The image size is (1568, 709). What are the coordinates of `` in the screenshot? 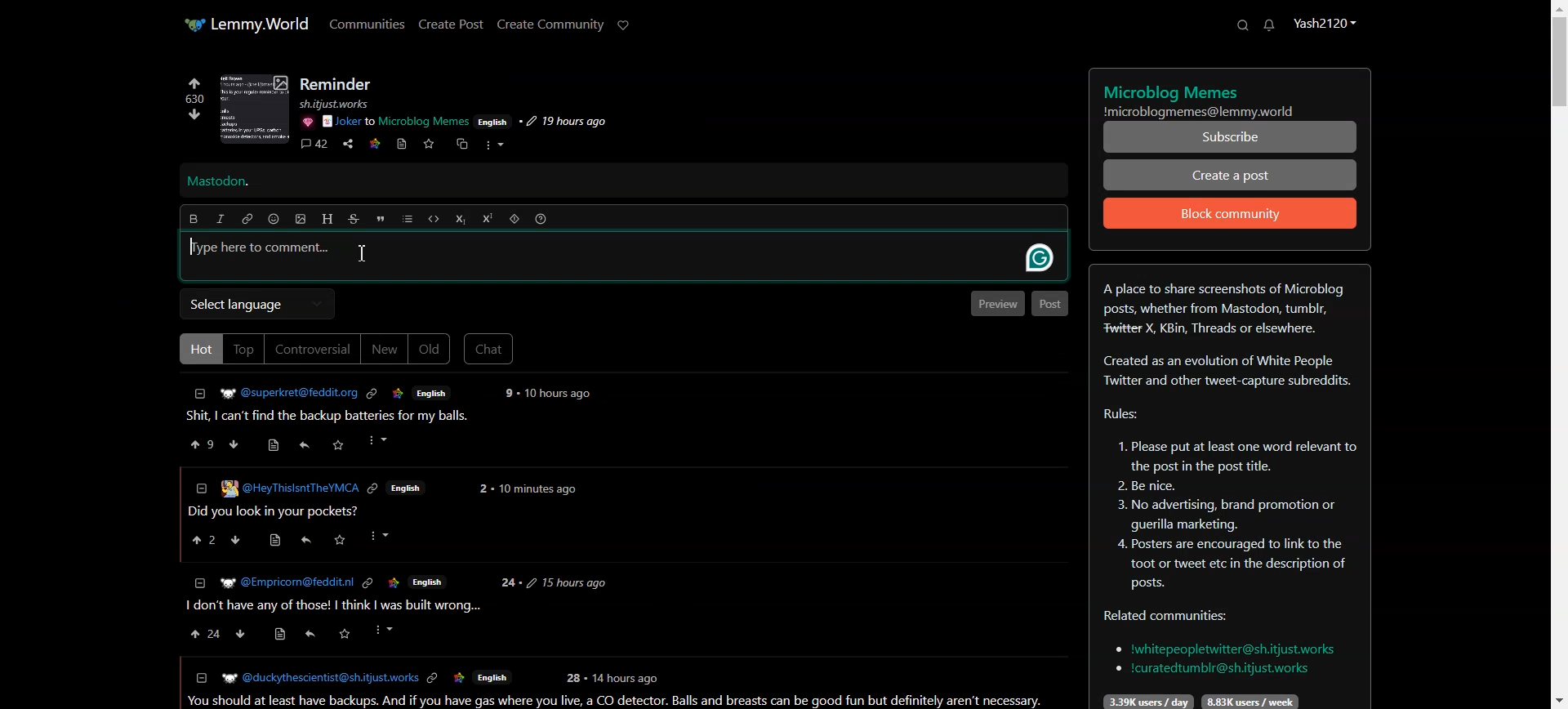 It's located at (434, 679).